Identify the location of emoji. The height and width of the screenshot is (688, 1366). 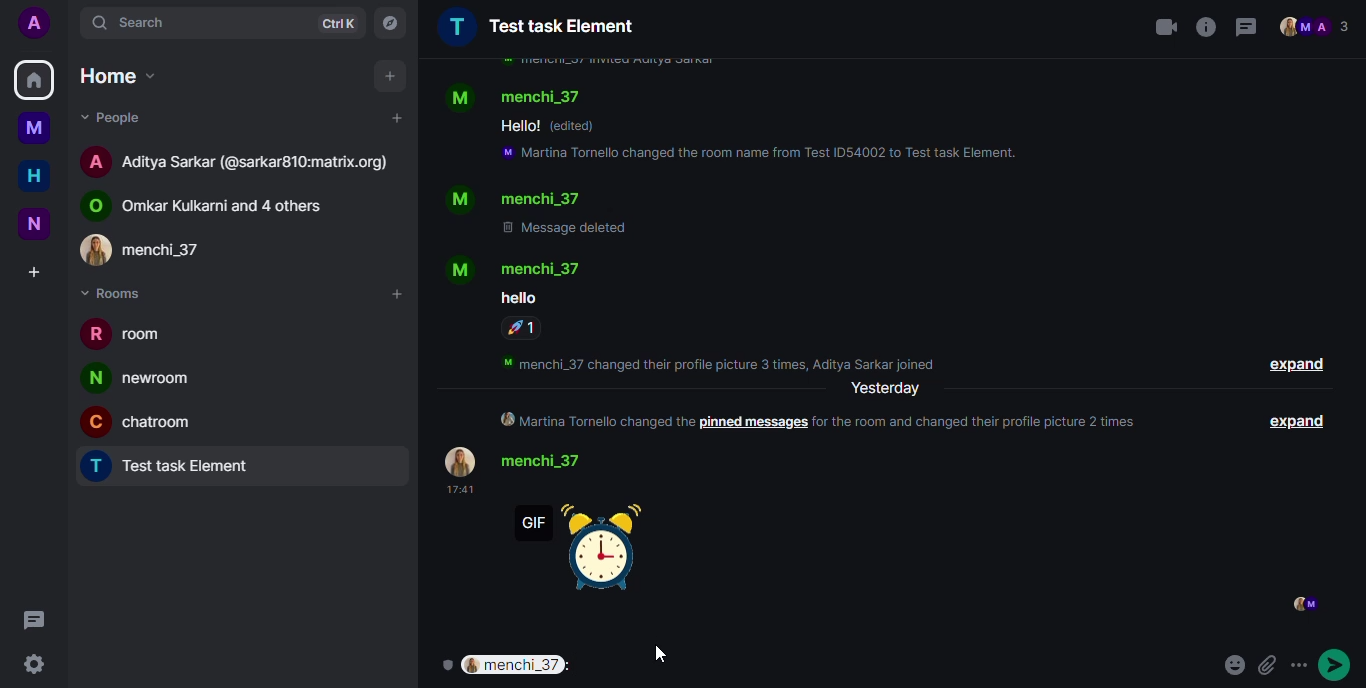
(1306, 660).